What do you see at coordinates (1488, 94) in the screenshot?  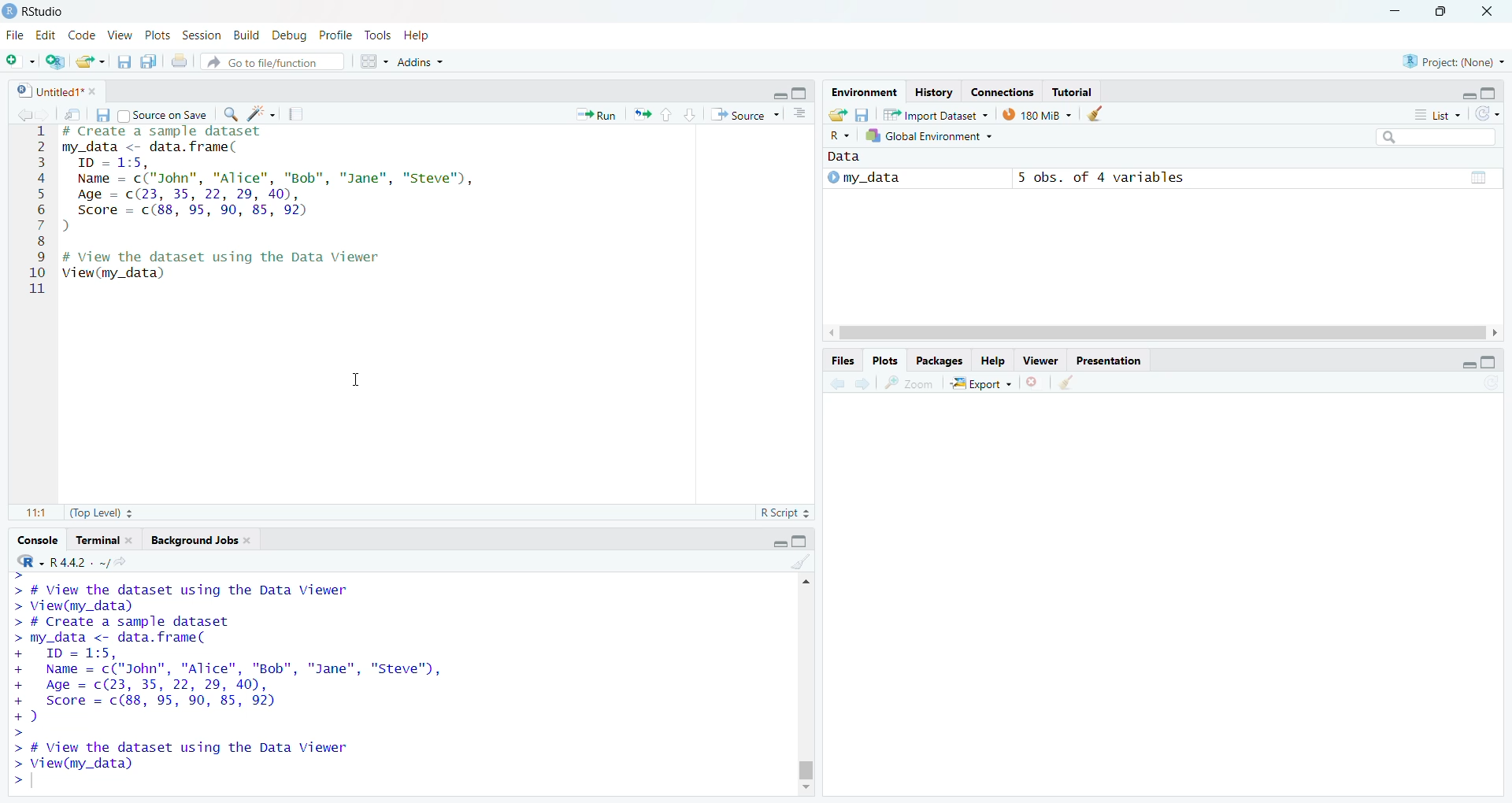 I see `Maximize` at bounding box center [1488, 94].